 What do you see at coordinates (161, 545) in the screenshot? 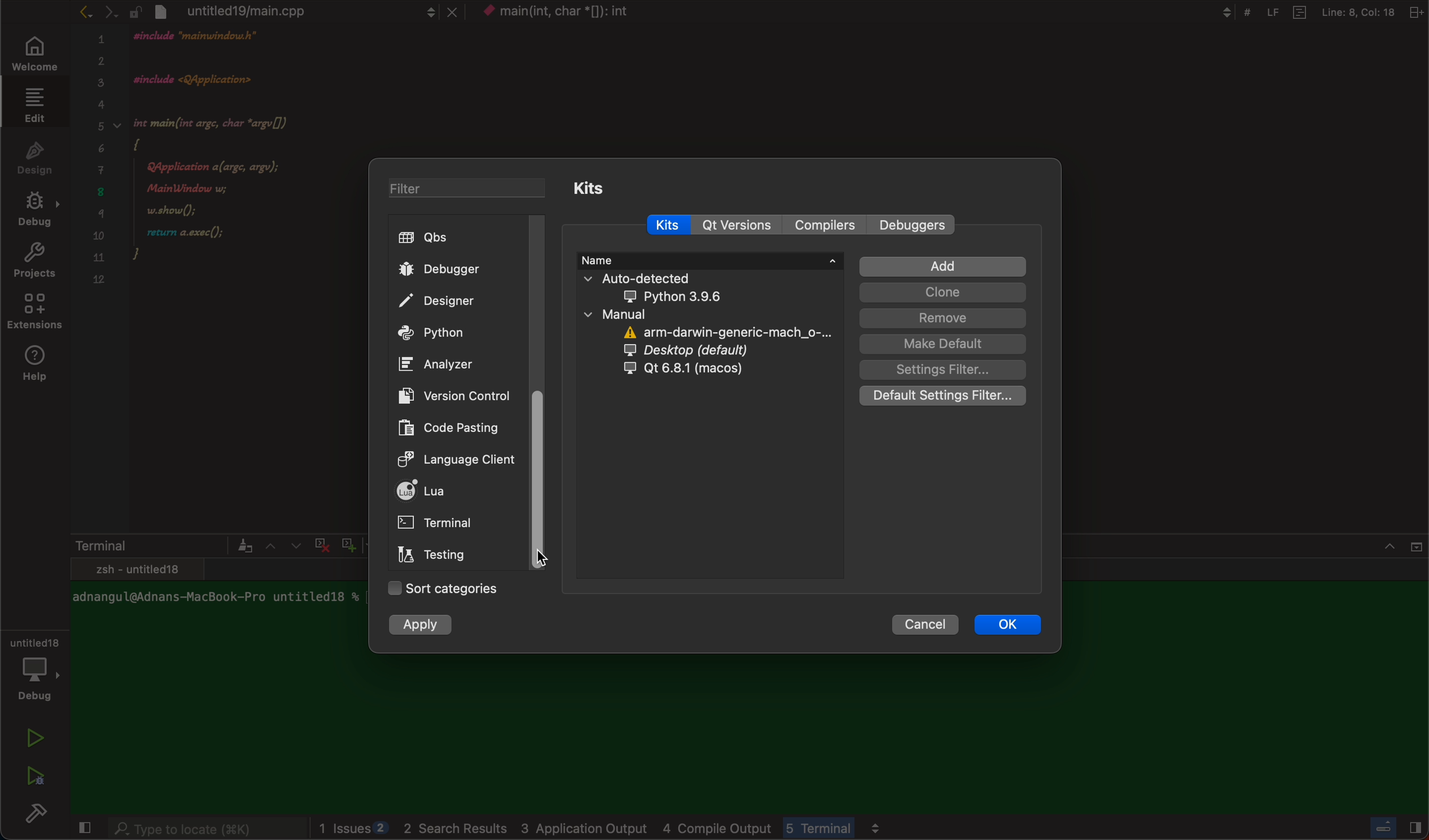
I see `terminal` at bounding box center [161, 545].